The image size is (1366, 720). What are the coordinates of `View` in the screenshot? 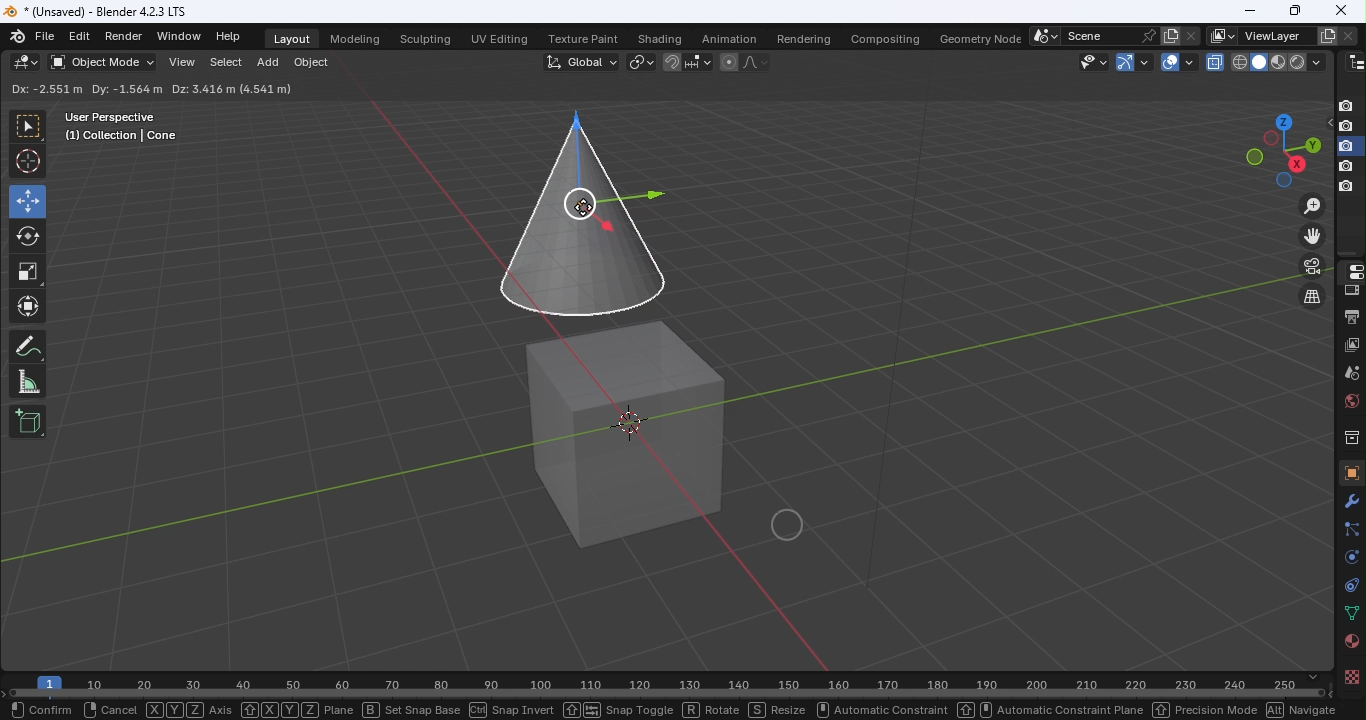 It's located at (180, 64).